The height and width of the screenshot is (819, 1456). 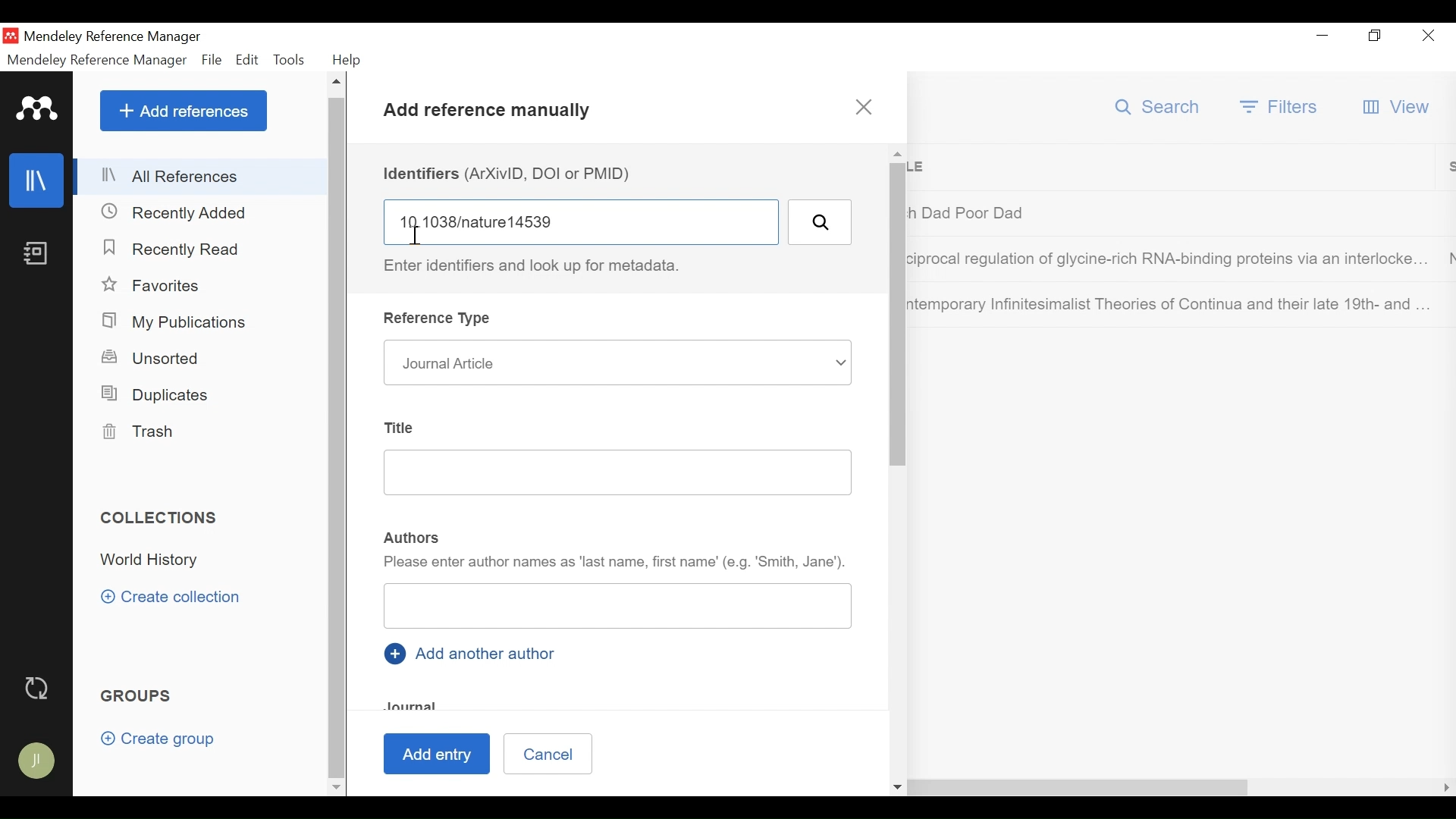 What do you see at coordinates (1171, 262) in the screenshot?
I see `Regulation of lysine rich RNA binding proteins via an interlocke` at bounding box center [1171, 262].